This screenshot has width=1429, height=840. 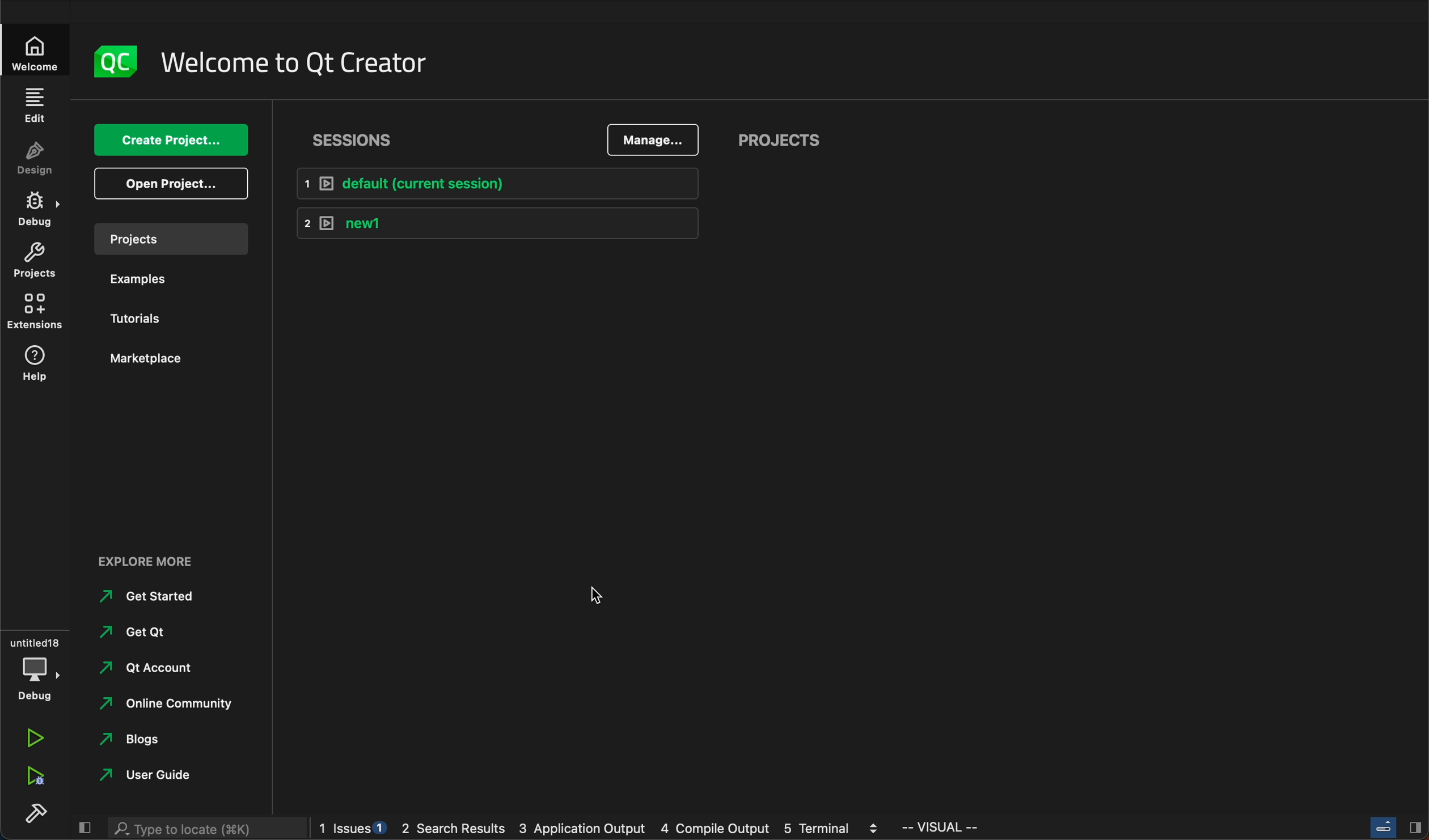 I want to click on examples, so click(x=143, y=279).